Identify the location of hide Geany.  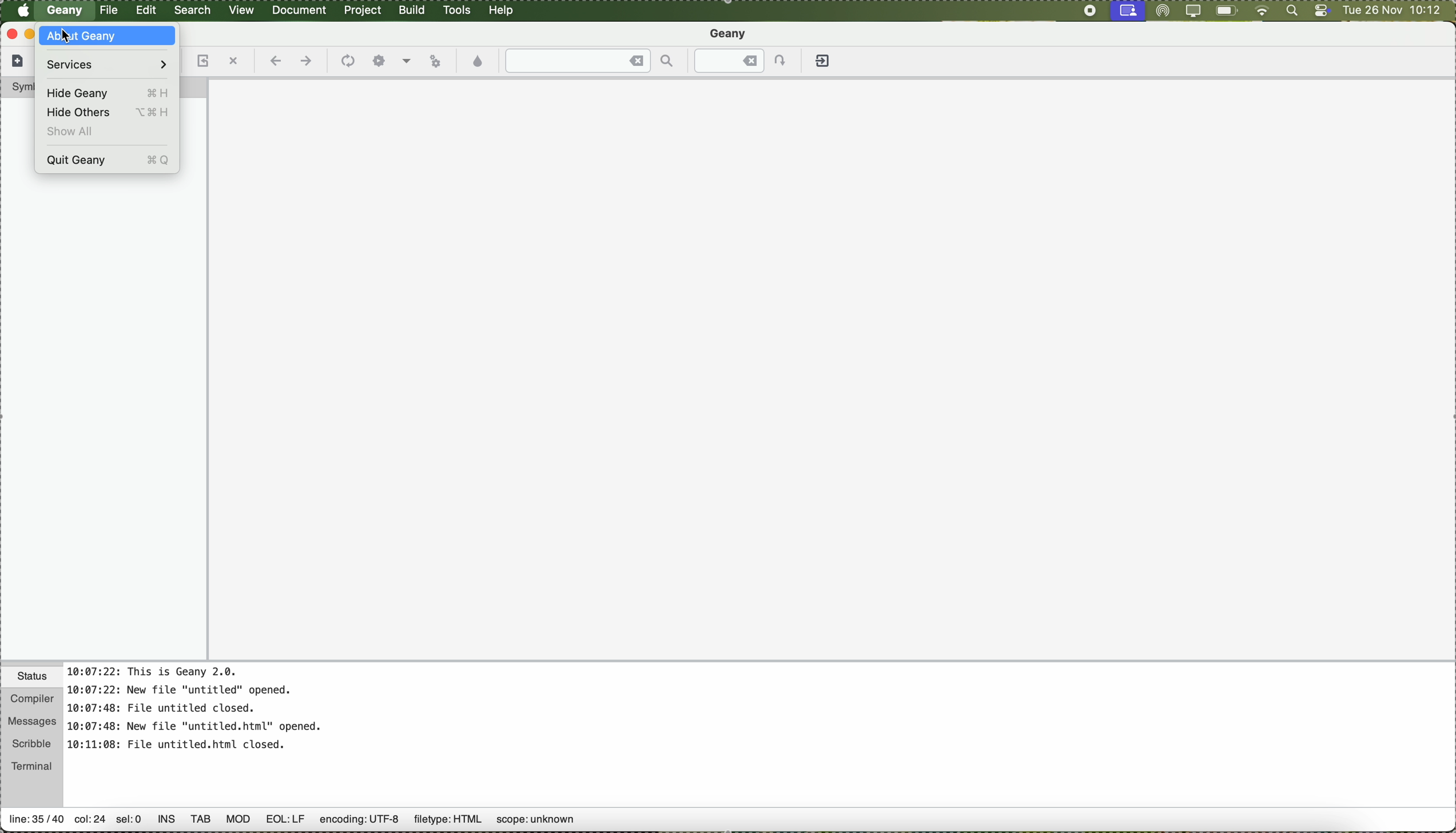
(105, 91).